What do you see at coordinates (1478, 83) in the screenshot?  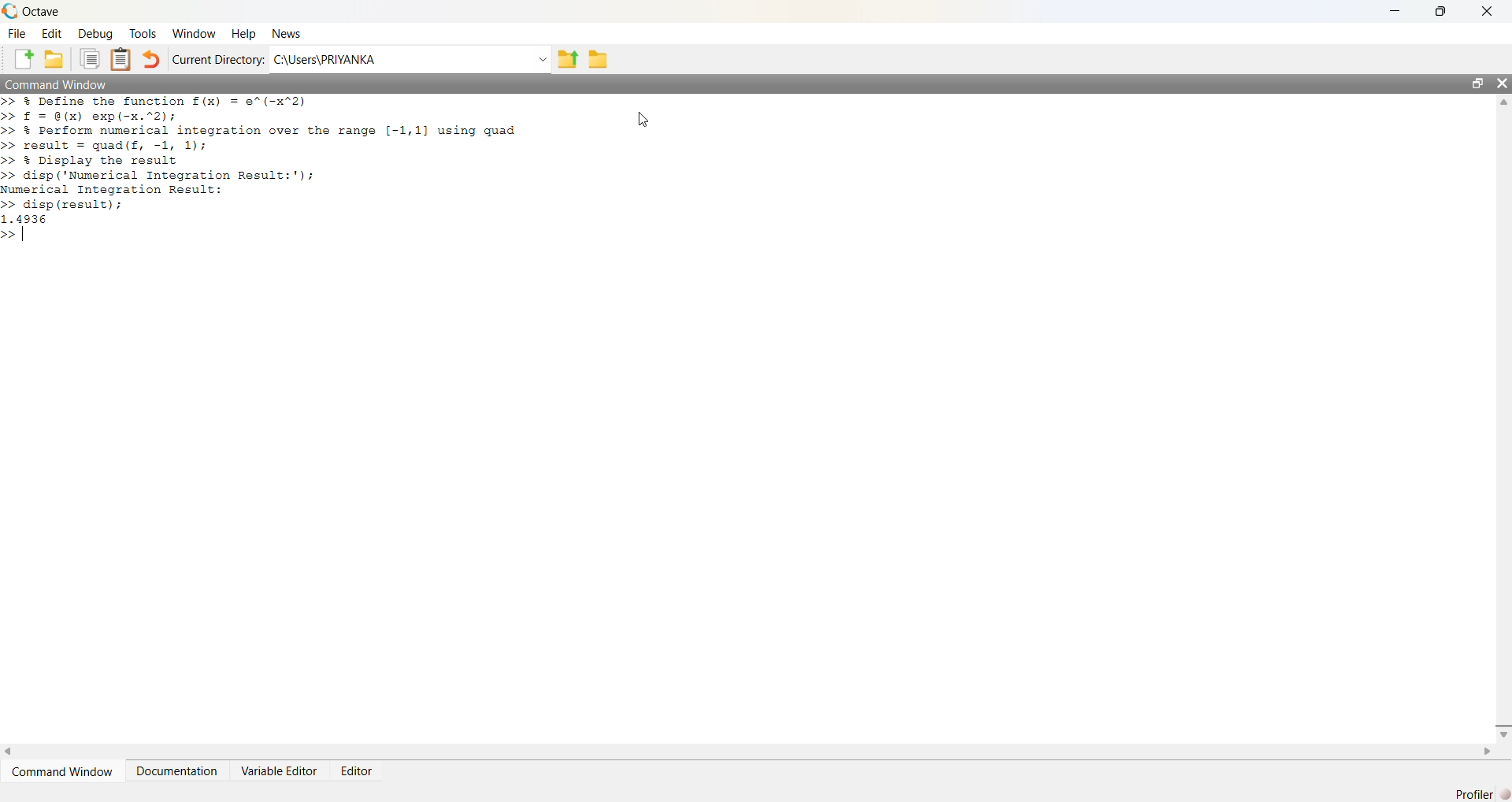 I see `restore` at bounding box center [1478, 83].